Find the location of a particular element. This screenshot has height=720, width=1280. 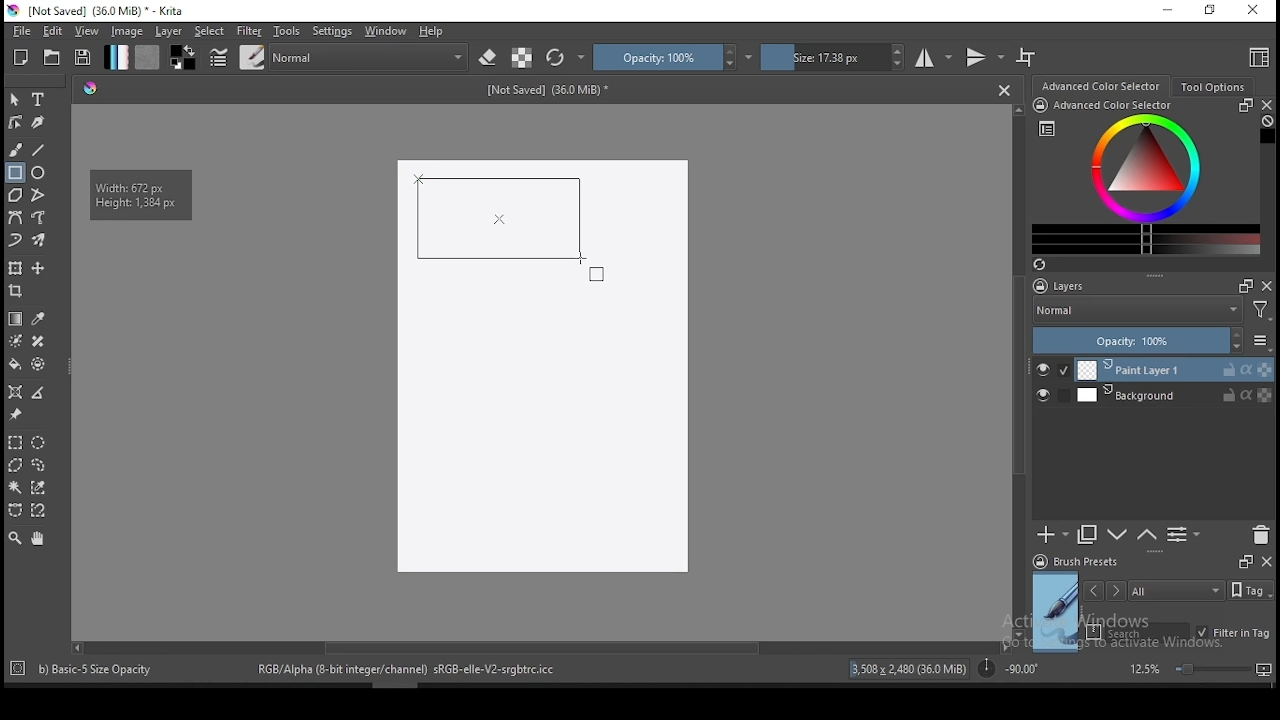

duplicate layer is located at coordinates (1088, 534).